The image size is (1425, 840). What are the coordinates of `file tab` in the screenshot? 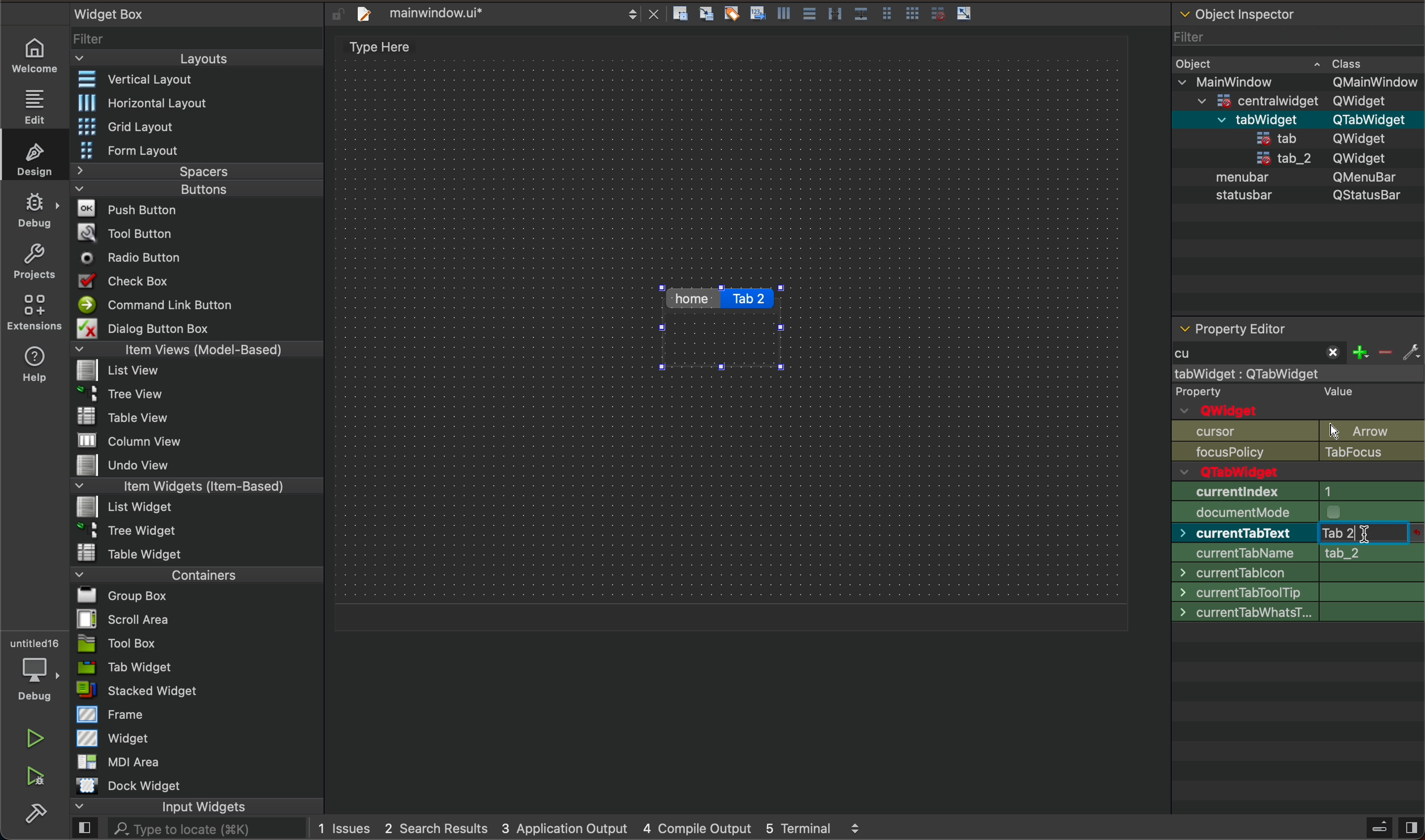 It's located at (502, 14).